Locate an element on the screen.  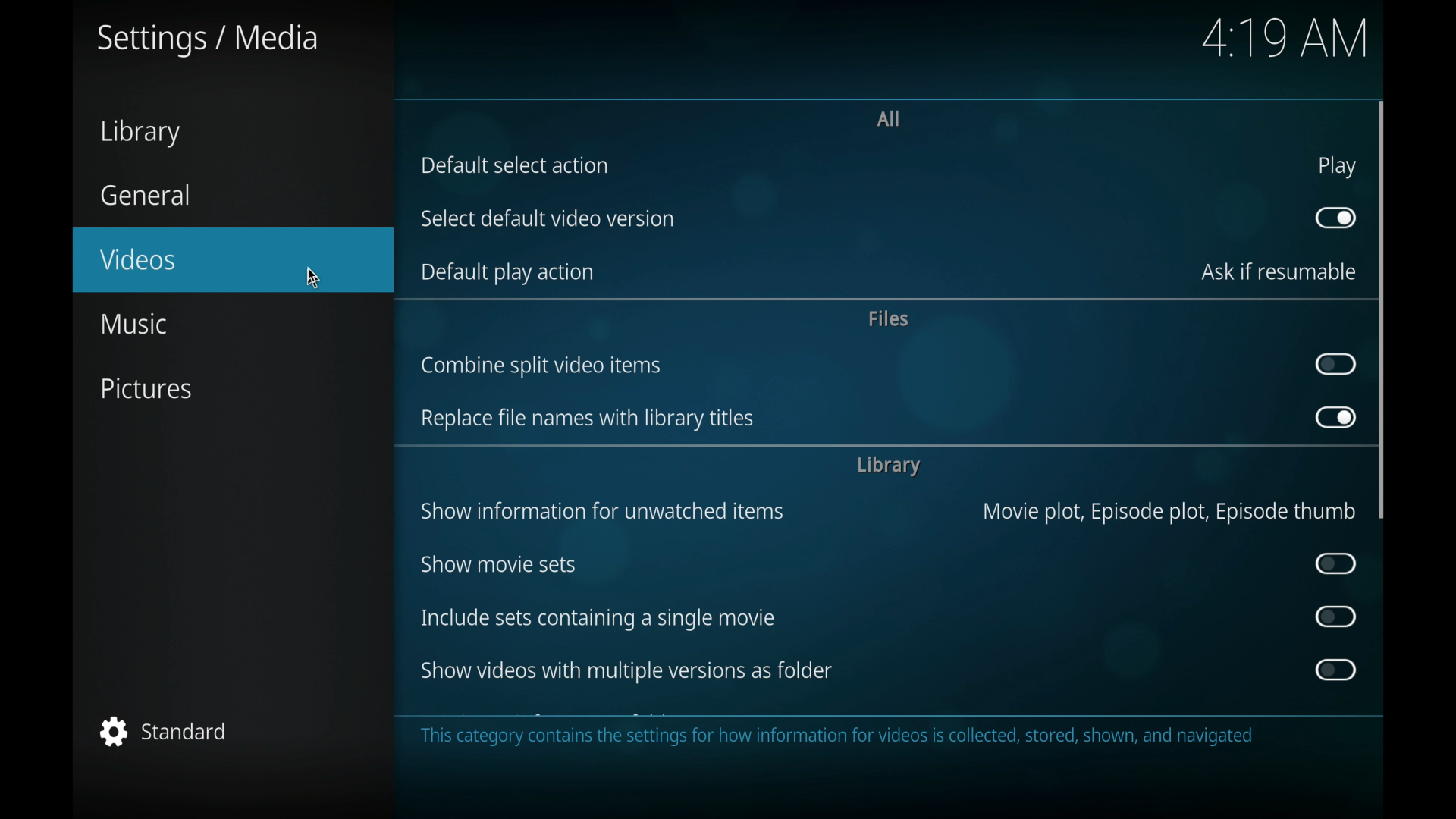
This category contains the settings for how information for videos is collected, stored, shown, and navigated is located at coordinates (847, 739).